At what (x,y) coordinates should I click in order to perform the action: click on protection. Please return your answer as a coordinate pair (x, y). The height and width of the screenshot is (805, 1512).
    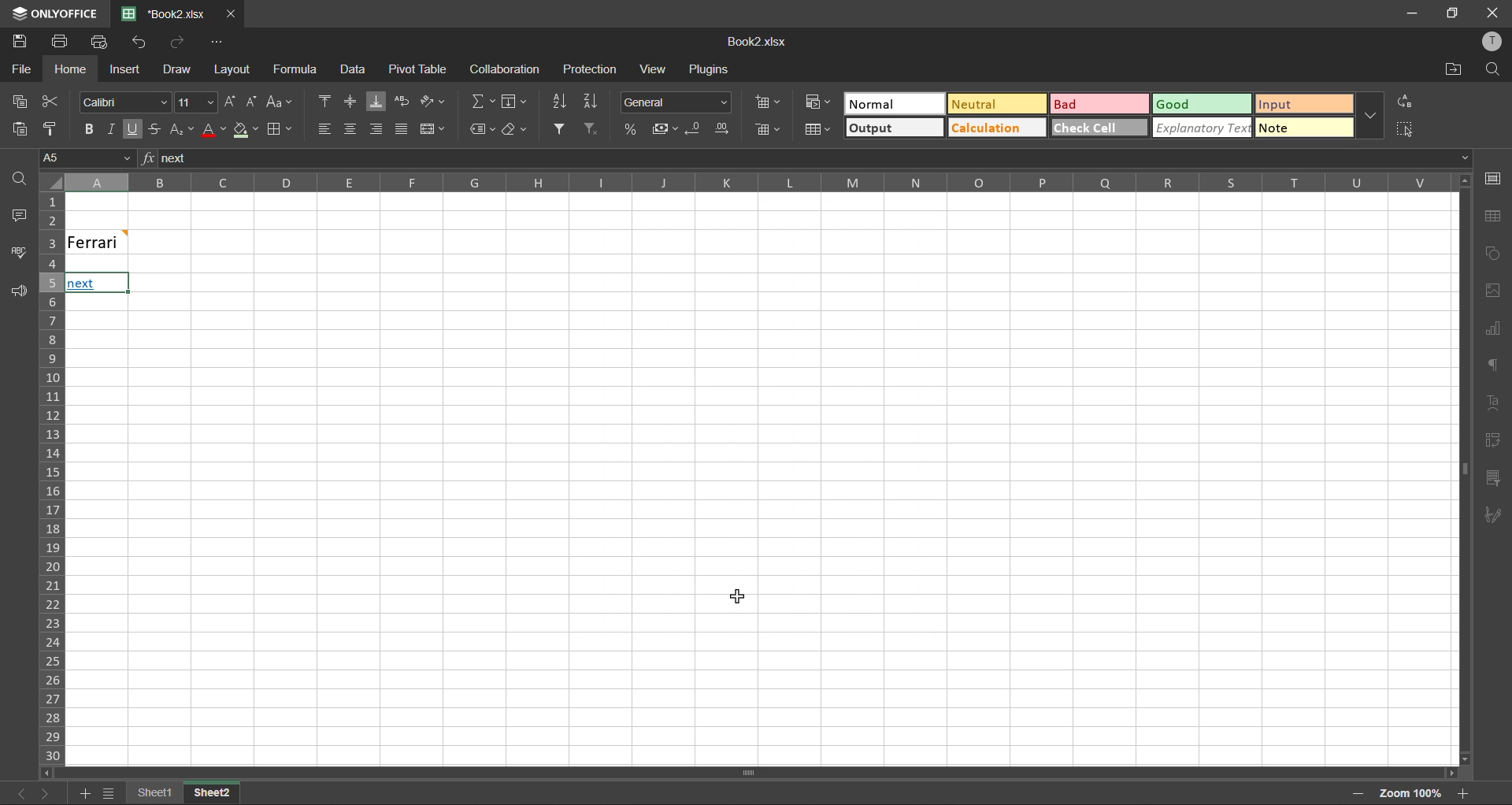
    Looking at the image, I should click on (592, 70).